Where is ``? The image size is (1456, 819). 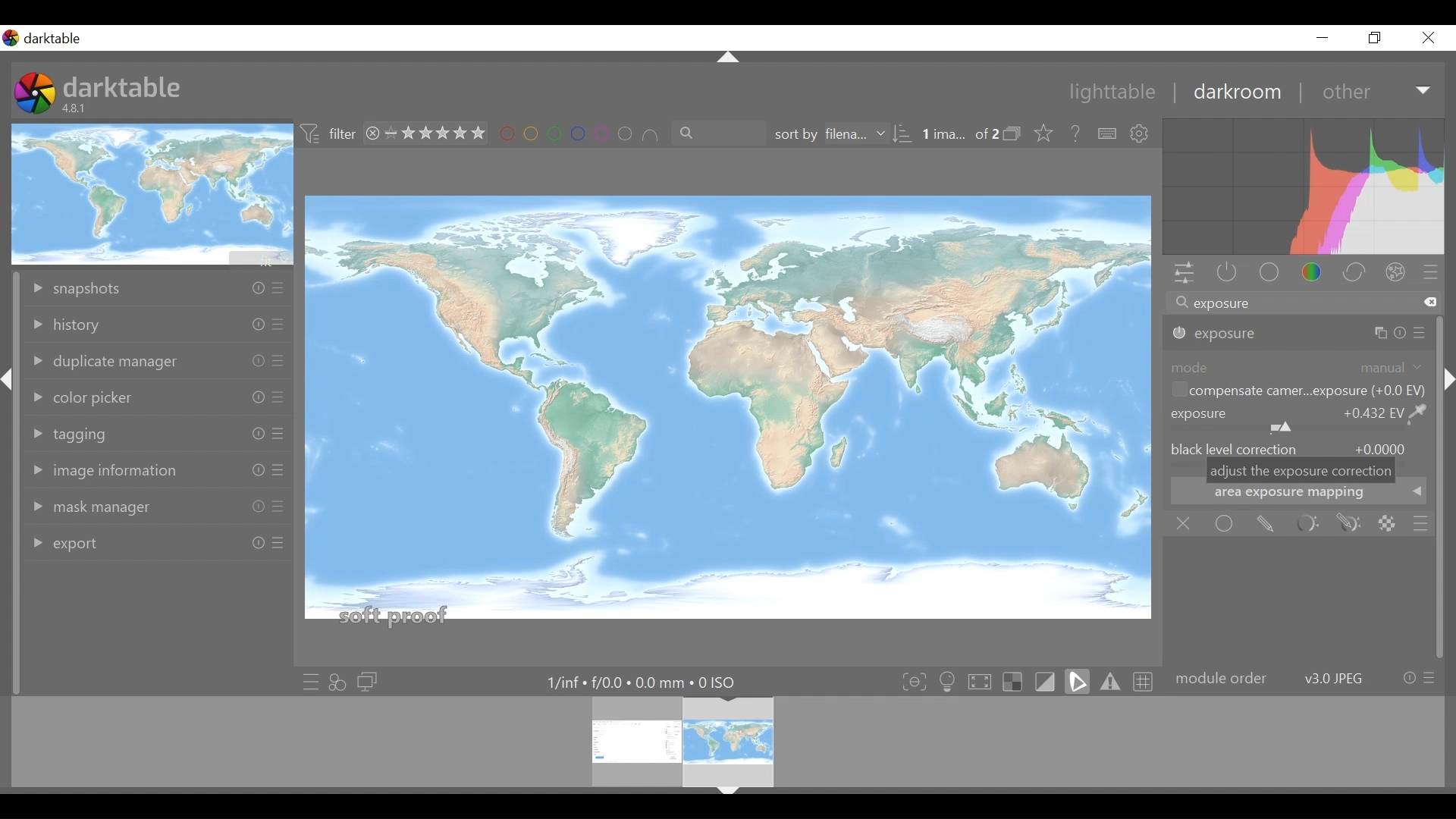  is located at coordinates (249, 470).